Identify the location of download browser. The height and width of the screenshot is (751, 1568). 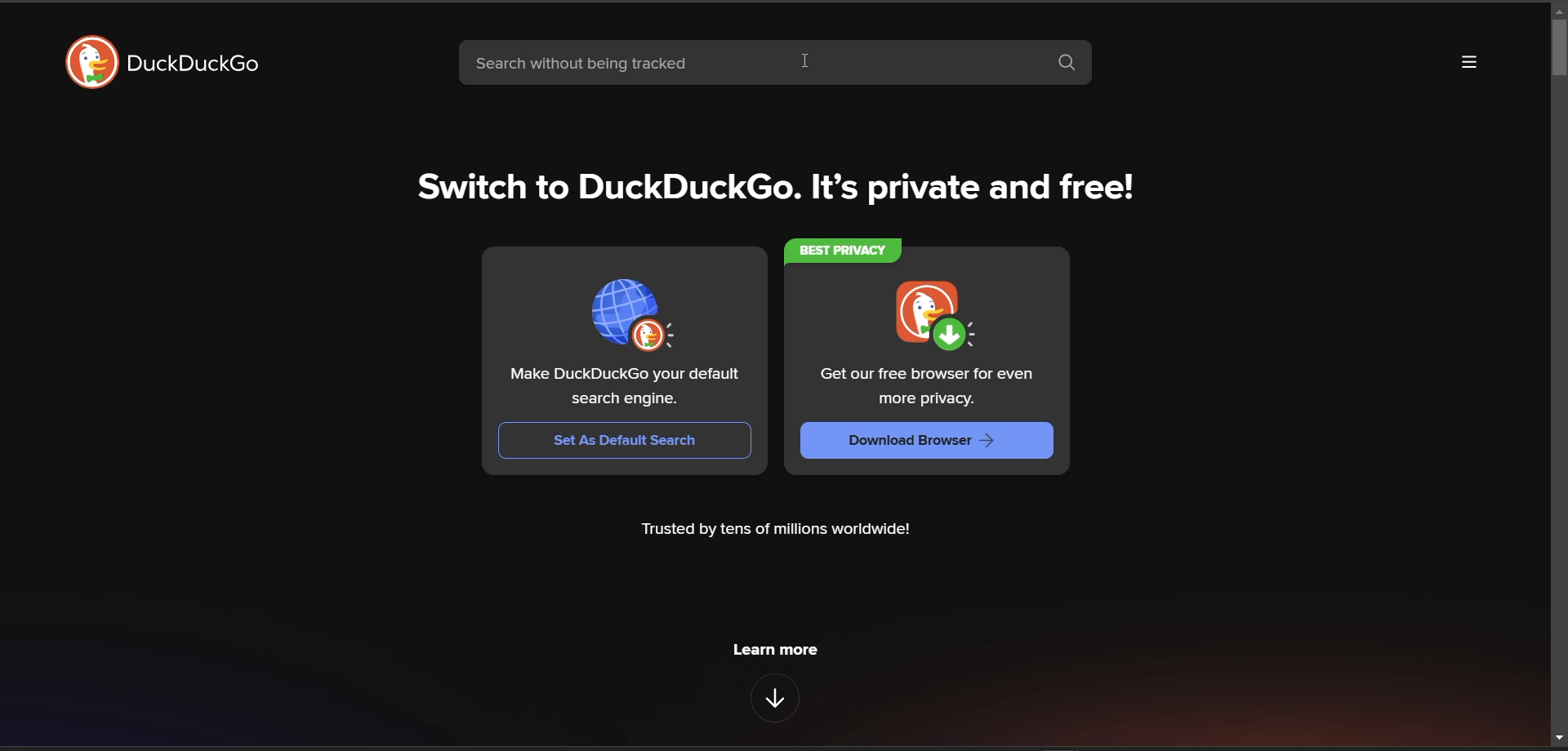
(928, 441).